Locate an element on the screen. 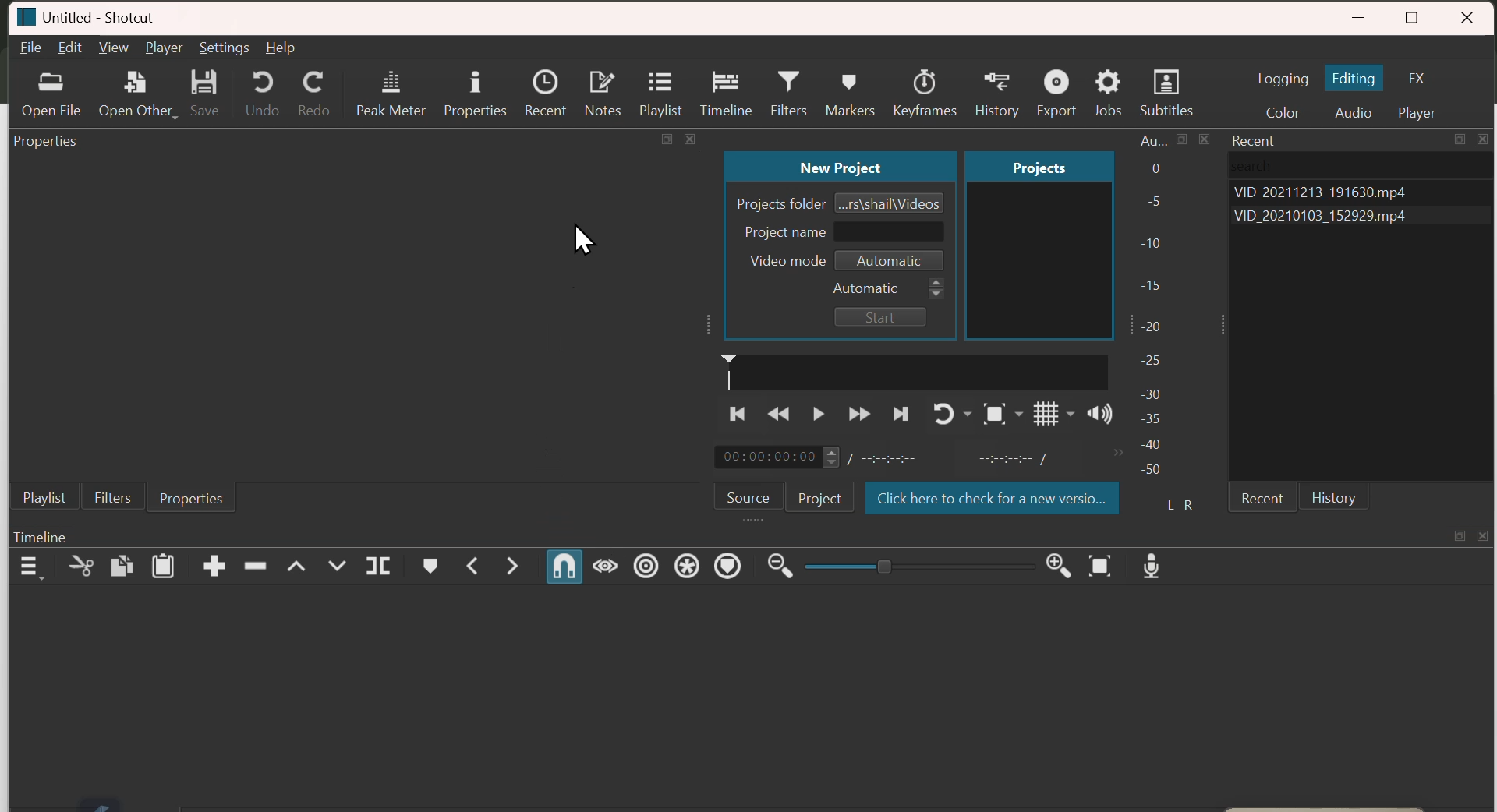 Image resolution: width=1497 pixels, height=812 pixels. Pause play button is located at coordinates (819, 412).